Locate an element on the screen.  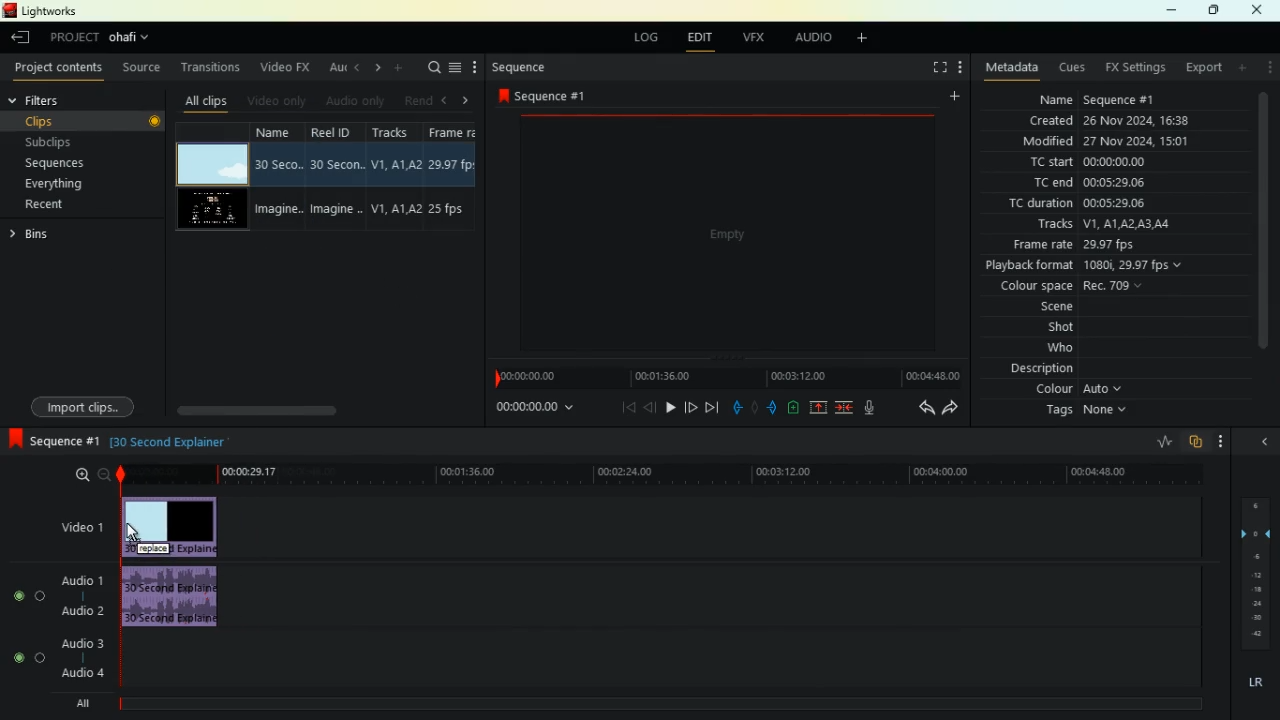
zoom is located at coordinates (83, 476).